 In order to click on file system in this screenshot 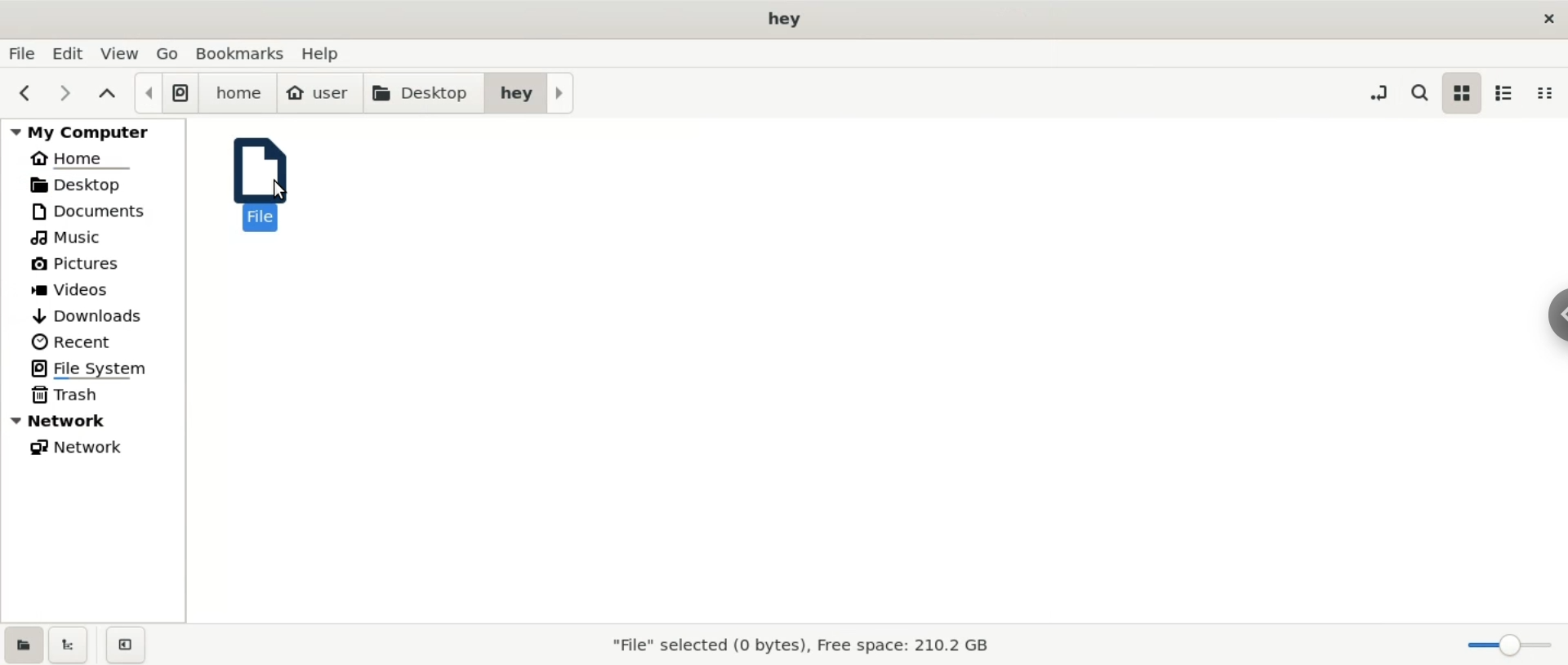, I will do `click(165, 93)`.